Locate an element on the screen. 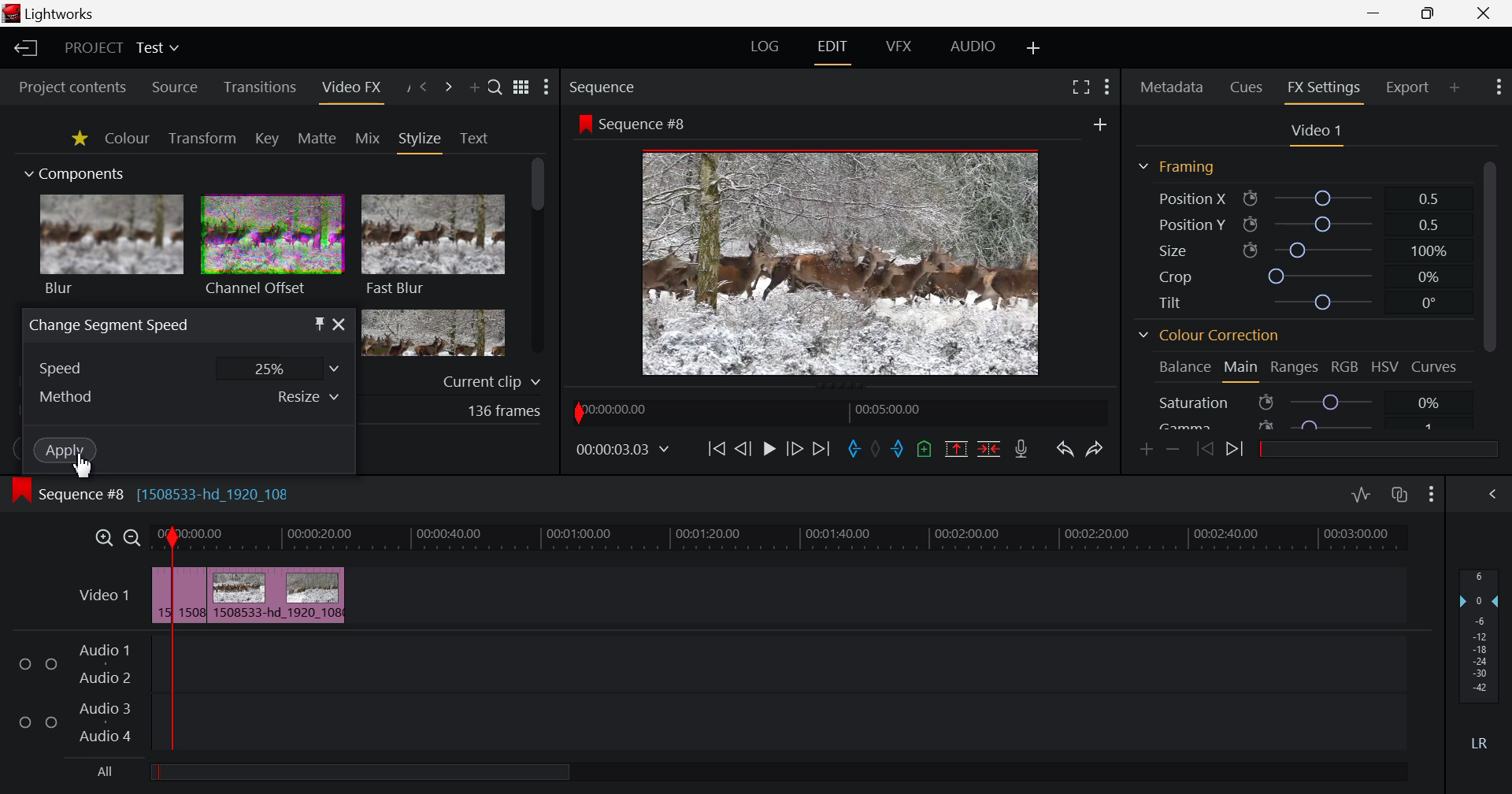 Image resolution: width=1512 pixels, height=794 pixels. Cursor on Clipped Sequence is located at coordinates (188, 595).